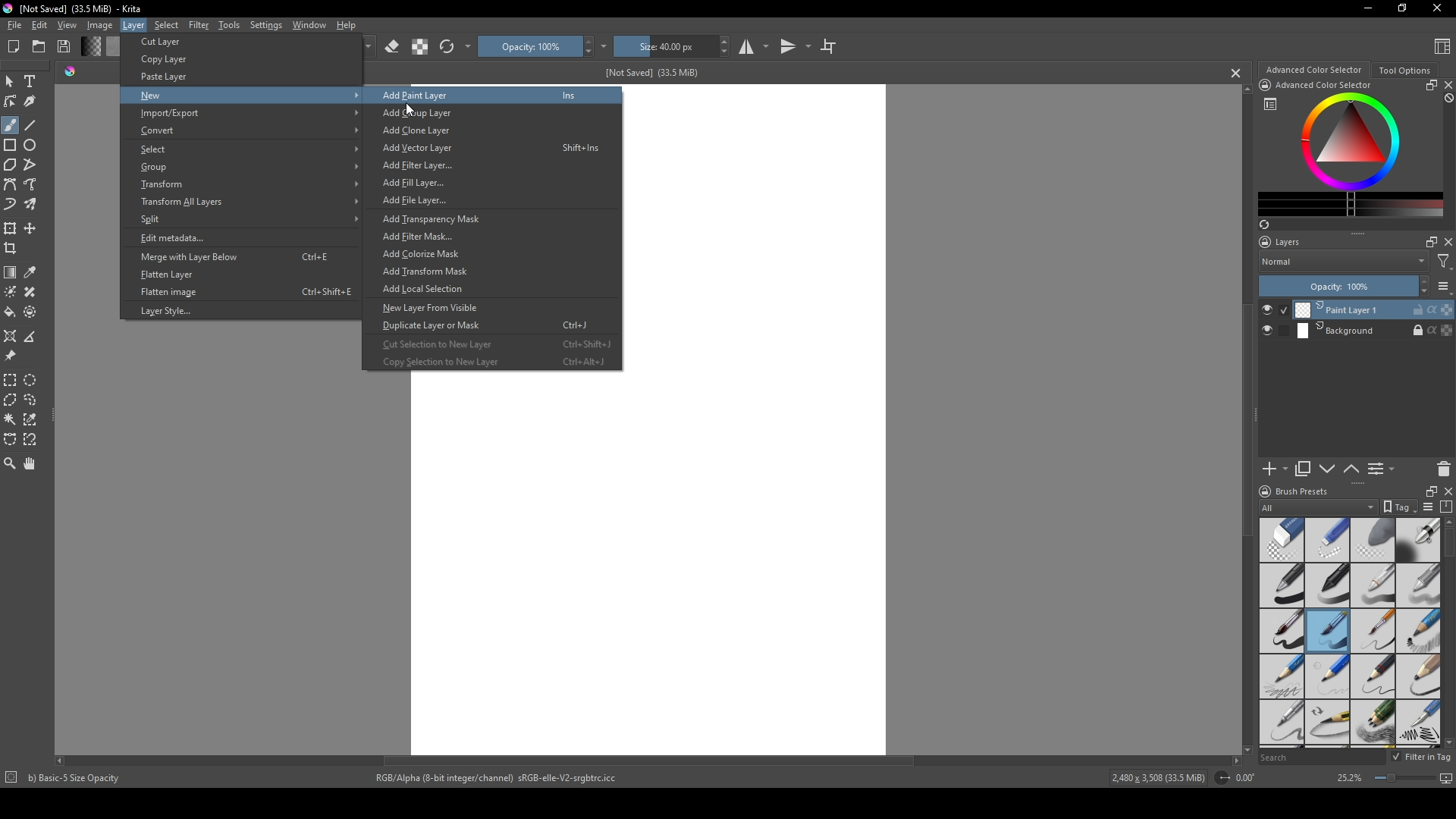 The width and height of the screenshot is (1456, 819). I want to click on List, so click(1384, 469).